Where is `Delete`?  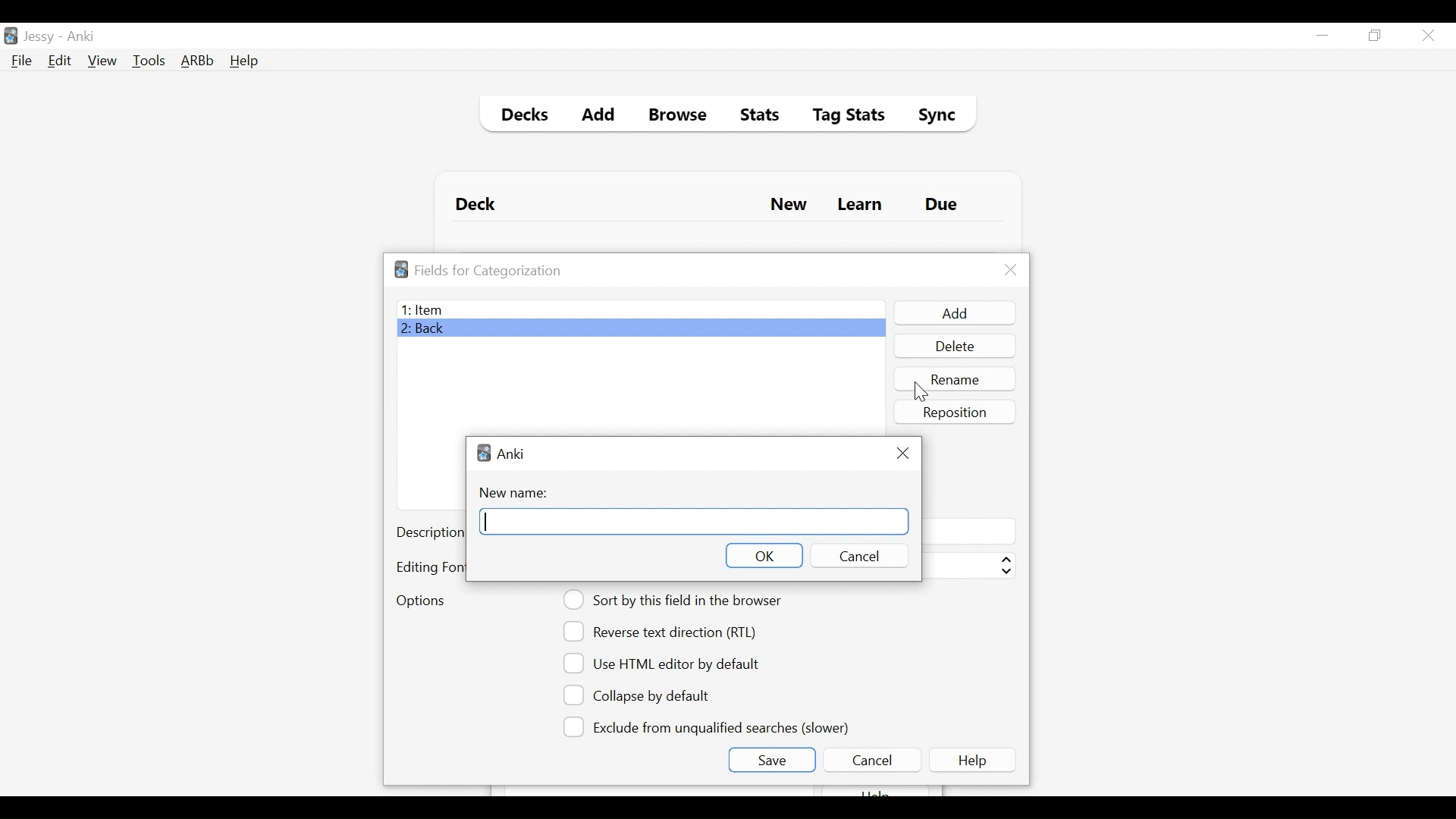 Delete is located at coordinates (954, 347).